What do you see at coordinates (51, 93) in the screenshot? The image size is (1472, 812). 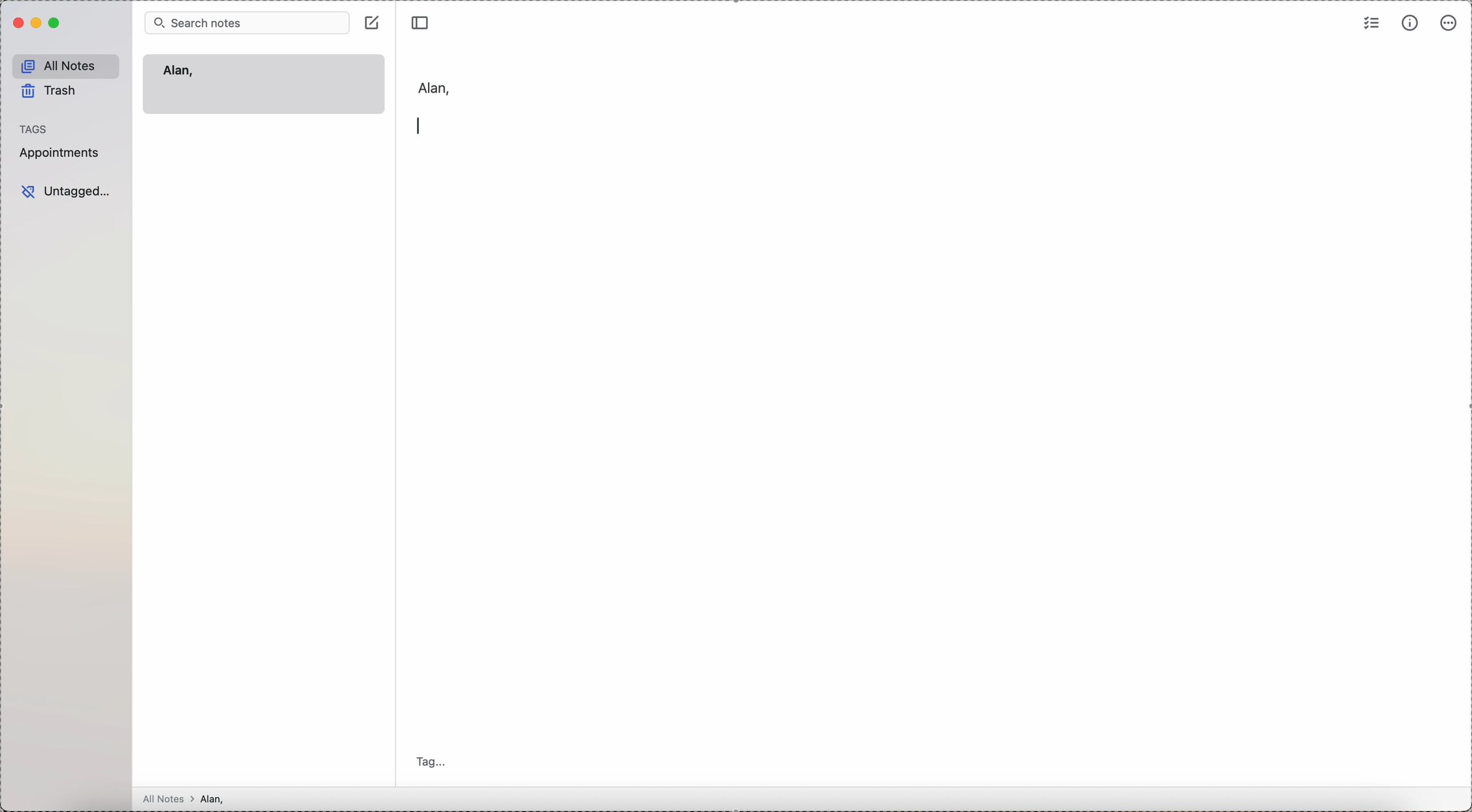 I see `trash` at bounding box center [51, 93].